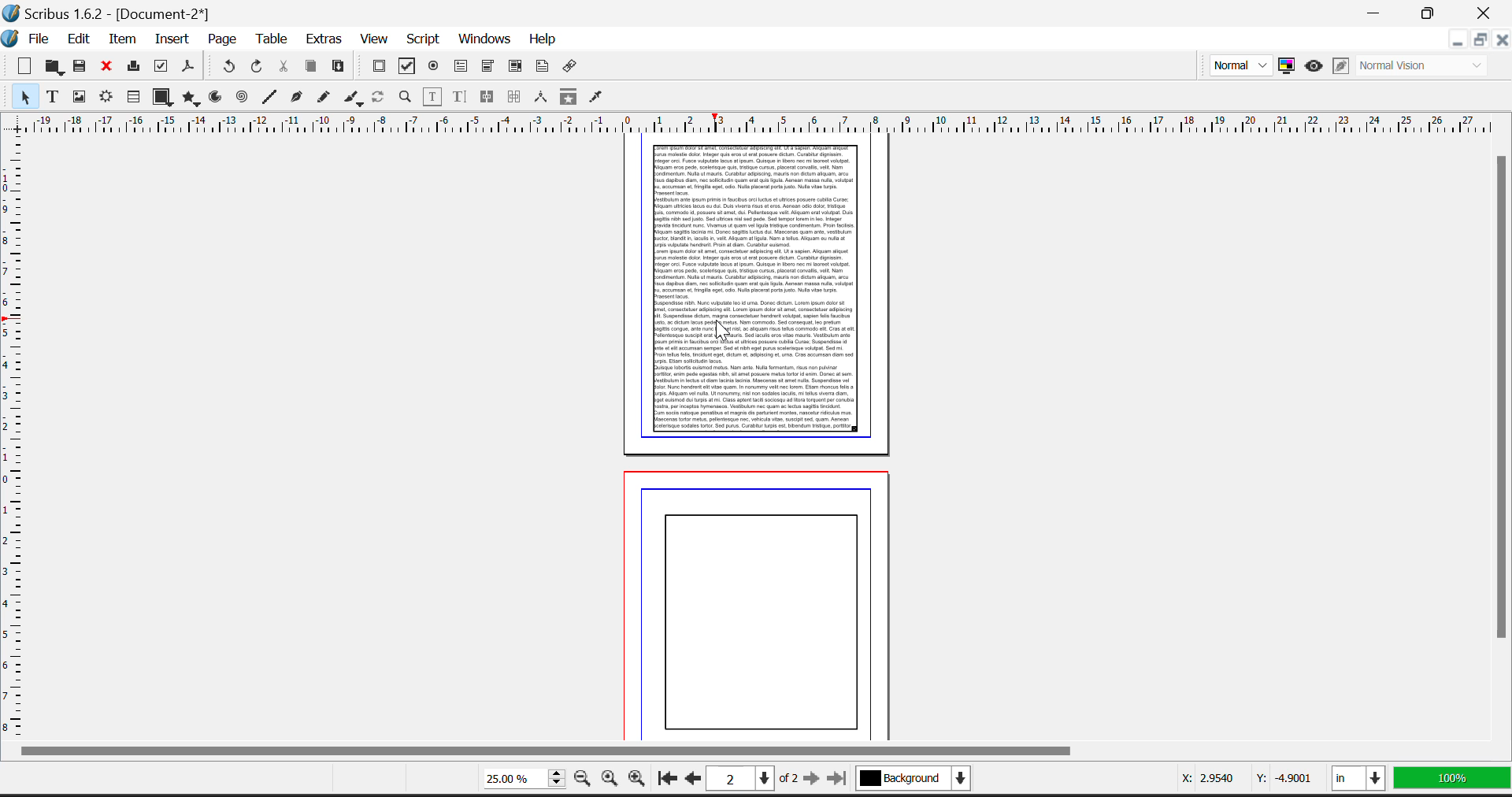 Image resolution: width=1512 pixels, height=797 pixels. Describe the element at coordinates (216, 98) in the screenshot. I see `Arcs` at that location.